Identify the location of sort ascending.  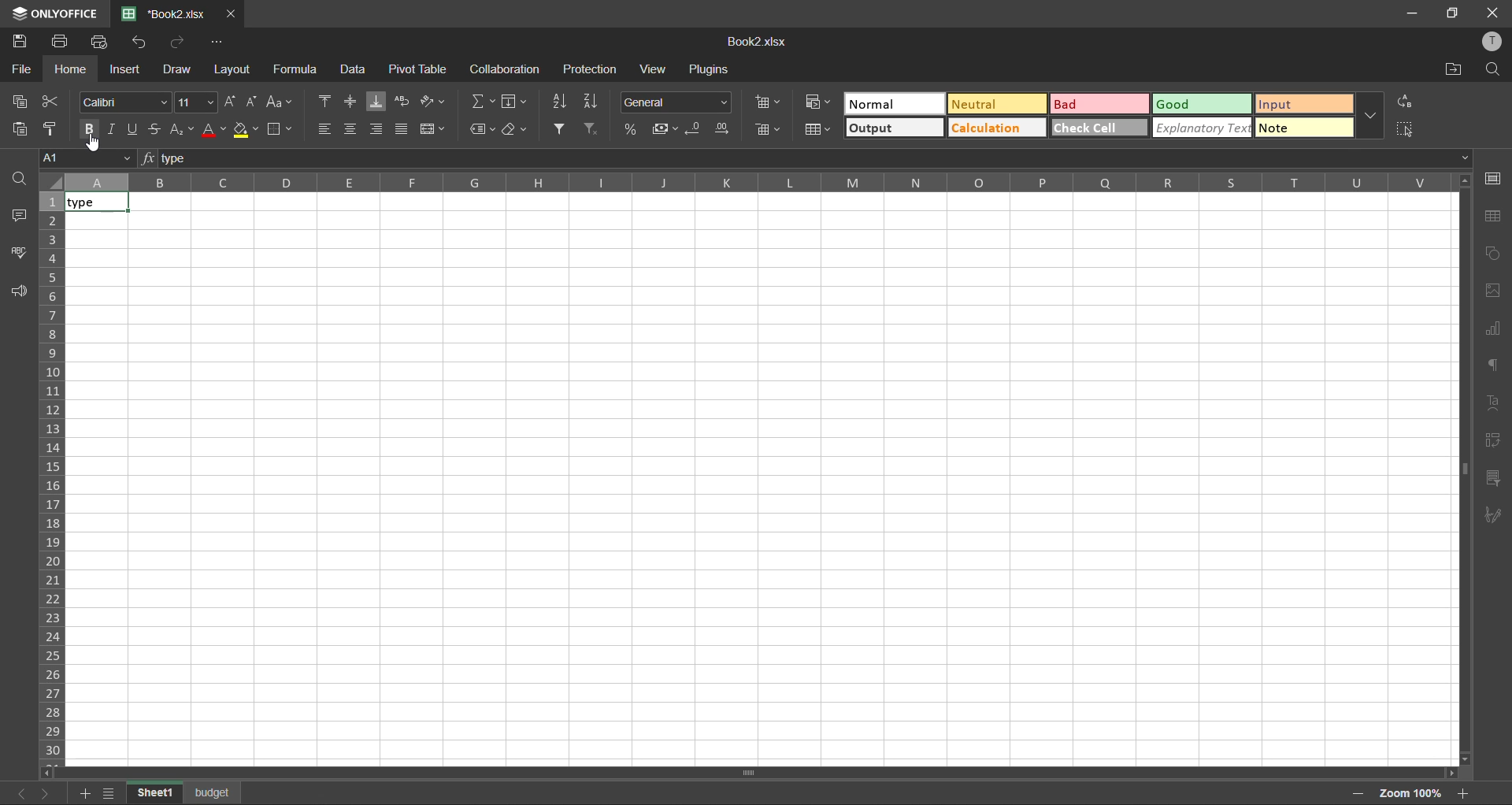
(561, 103).